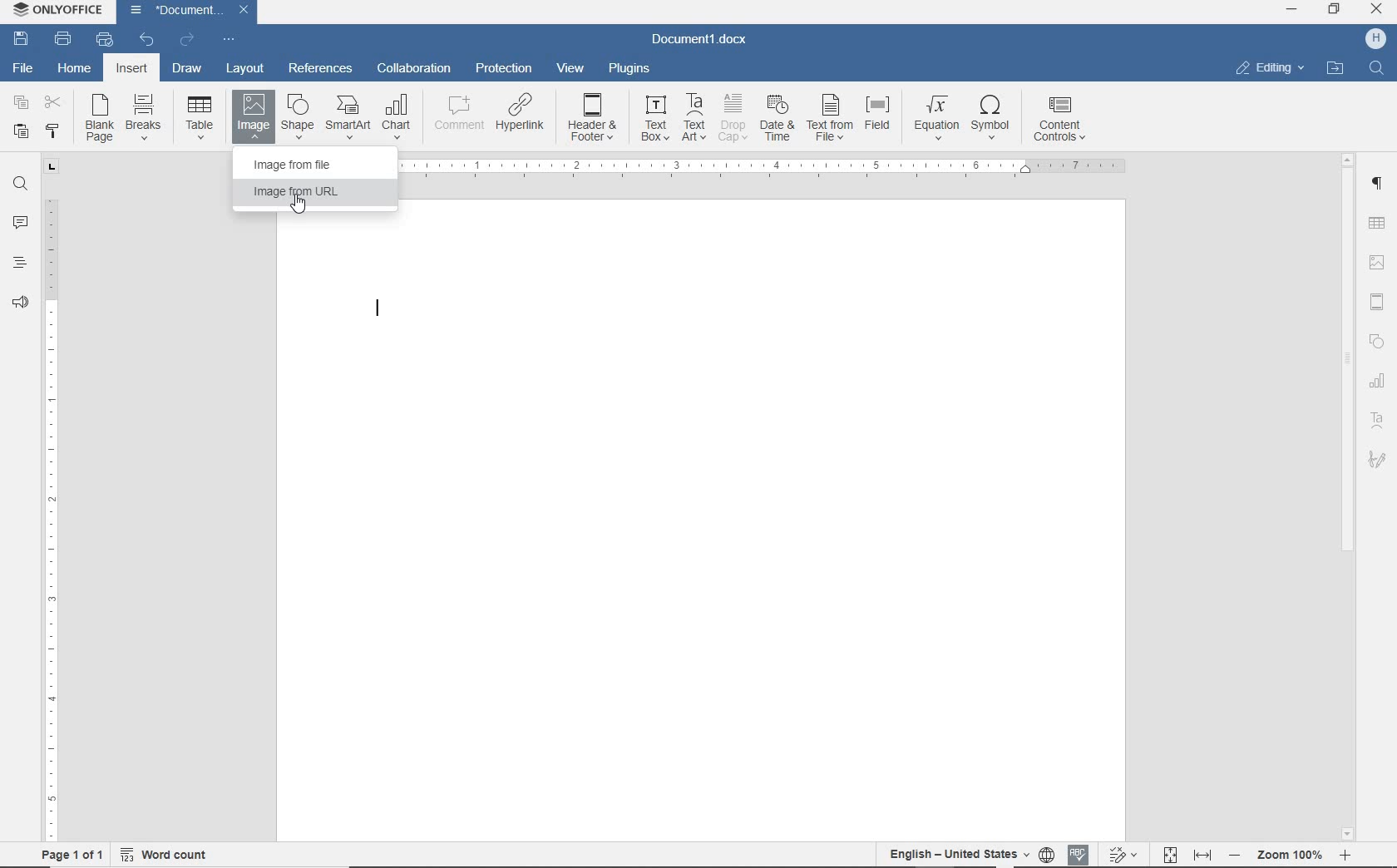 The width and height of the screenshot is (1397, 868). What do you see at coordinates (19, 104) in the screenshot?
I see `copy` at bounding box center [19, 104].